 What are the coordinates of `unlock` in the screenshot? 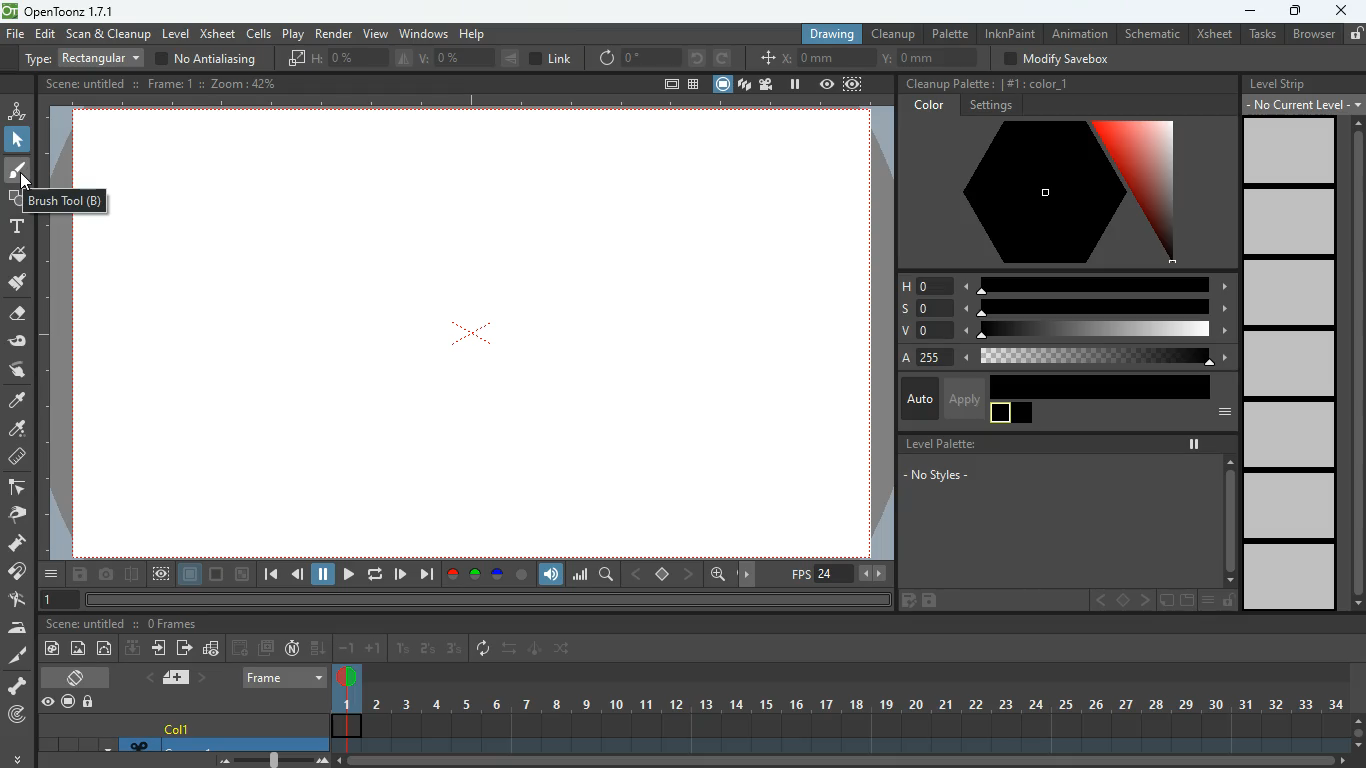 It's located at (90, 703).